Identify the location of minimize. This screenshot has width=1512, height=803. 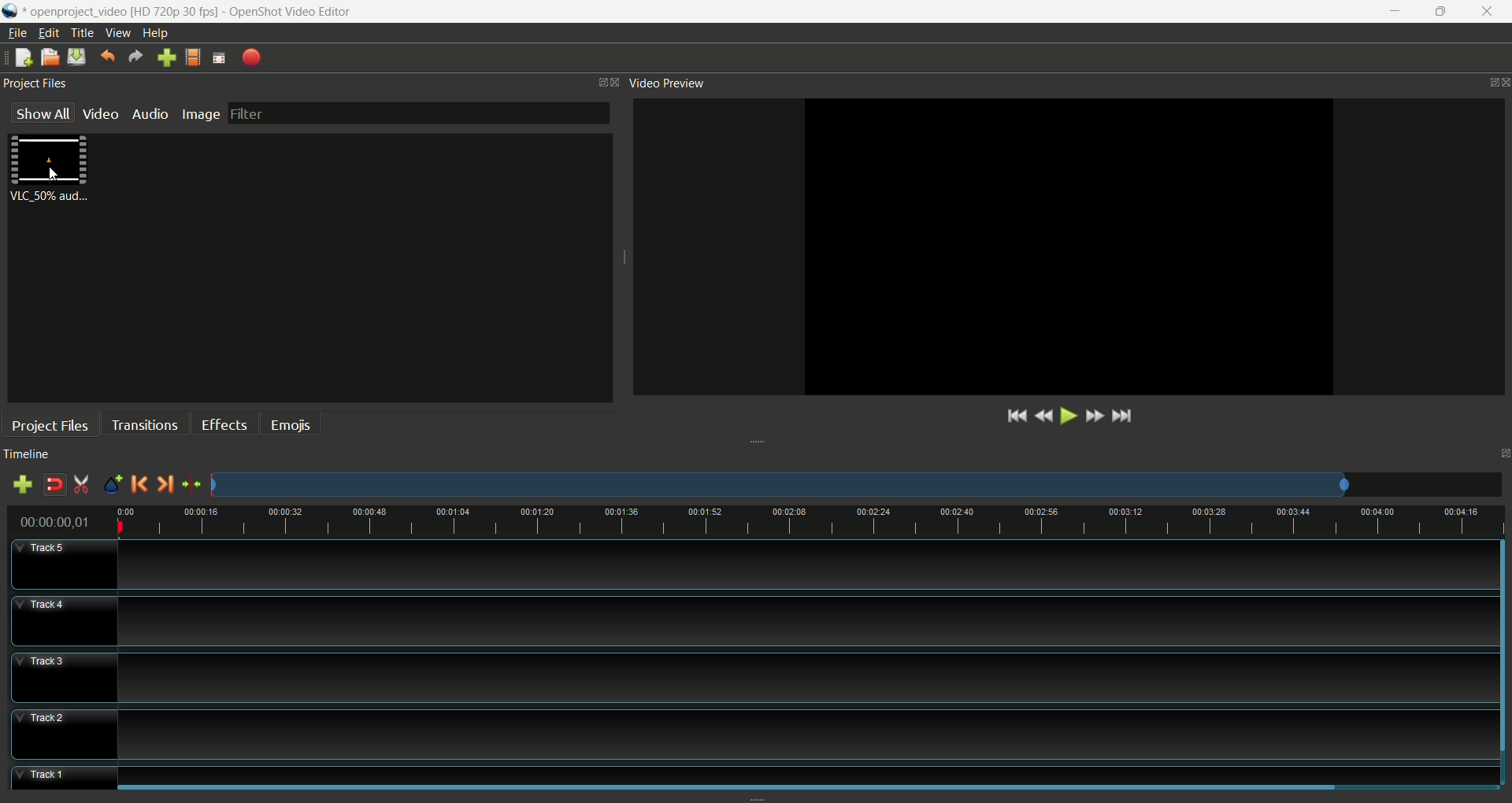
(1397, 10).